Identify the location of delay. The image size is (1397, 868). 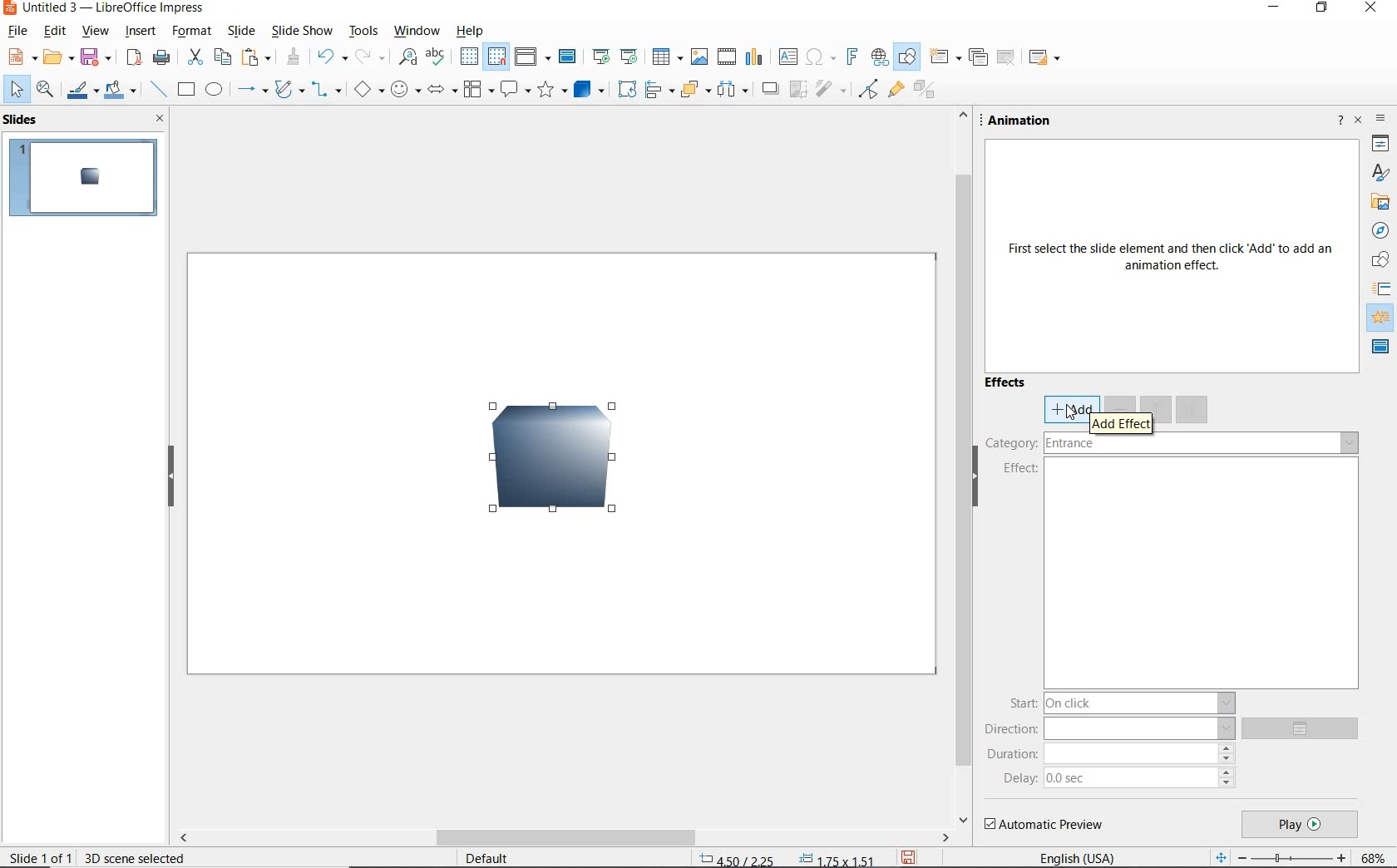
(1118, 777).